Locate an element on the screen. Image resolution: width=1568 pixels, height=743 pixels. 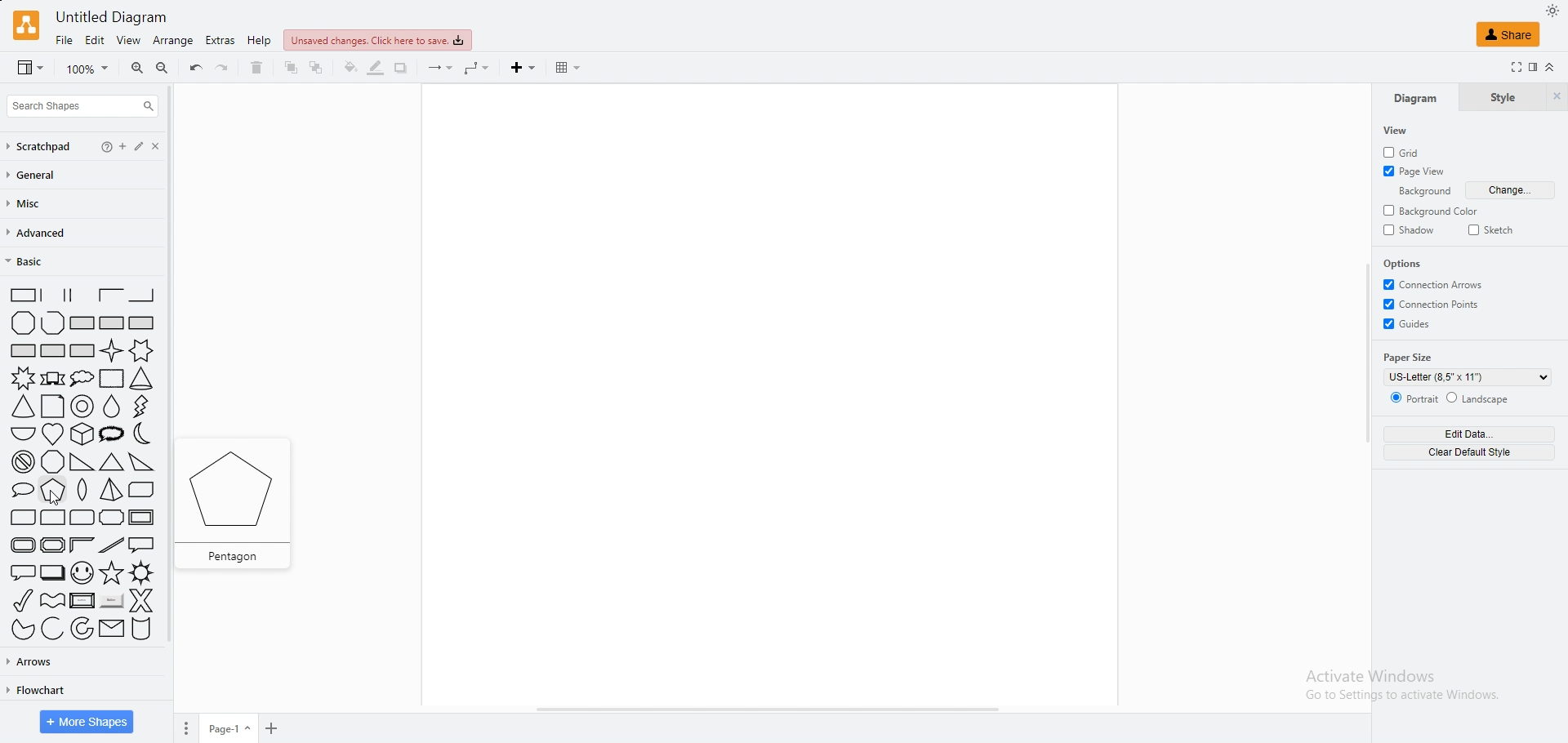
pyramid is located at coordinates (111, 492).